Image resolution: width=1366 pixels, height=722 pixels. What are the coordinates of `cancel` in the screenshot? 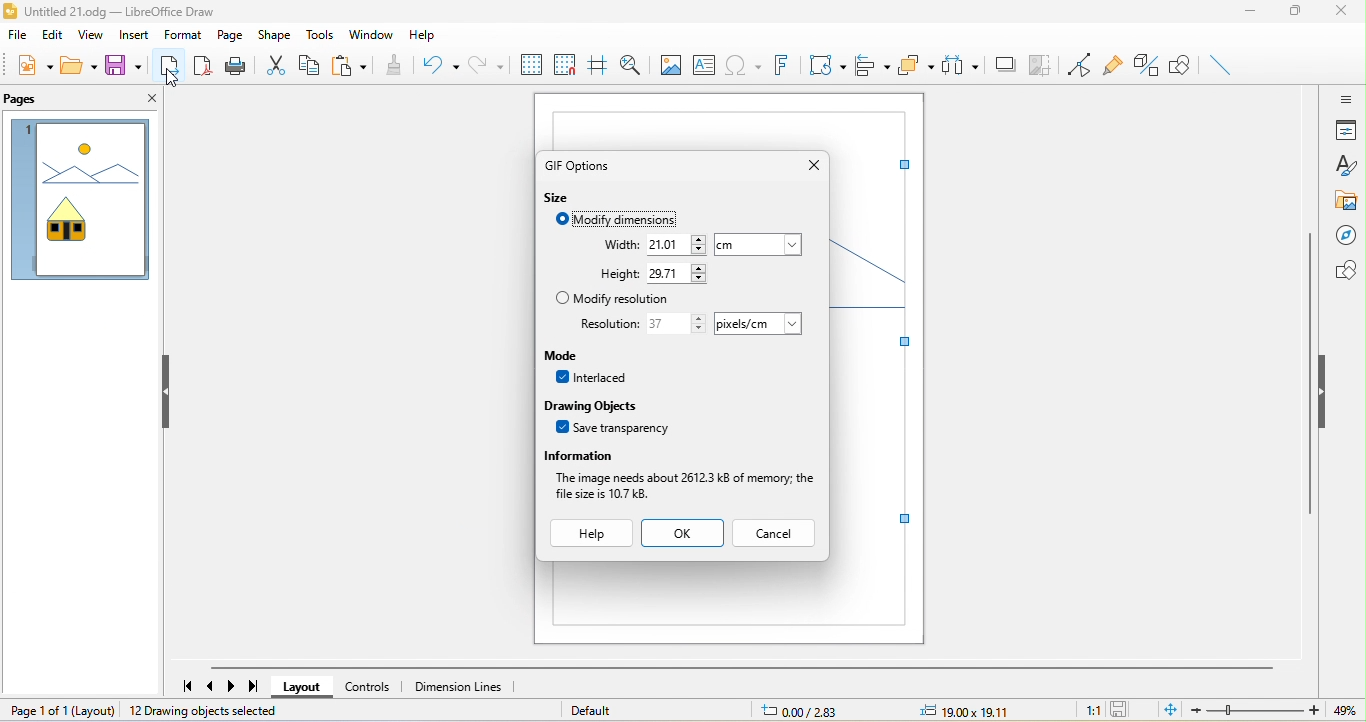 It's located at (775, 532).